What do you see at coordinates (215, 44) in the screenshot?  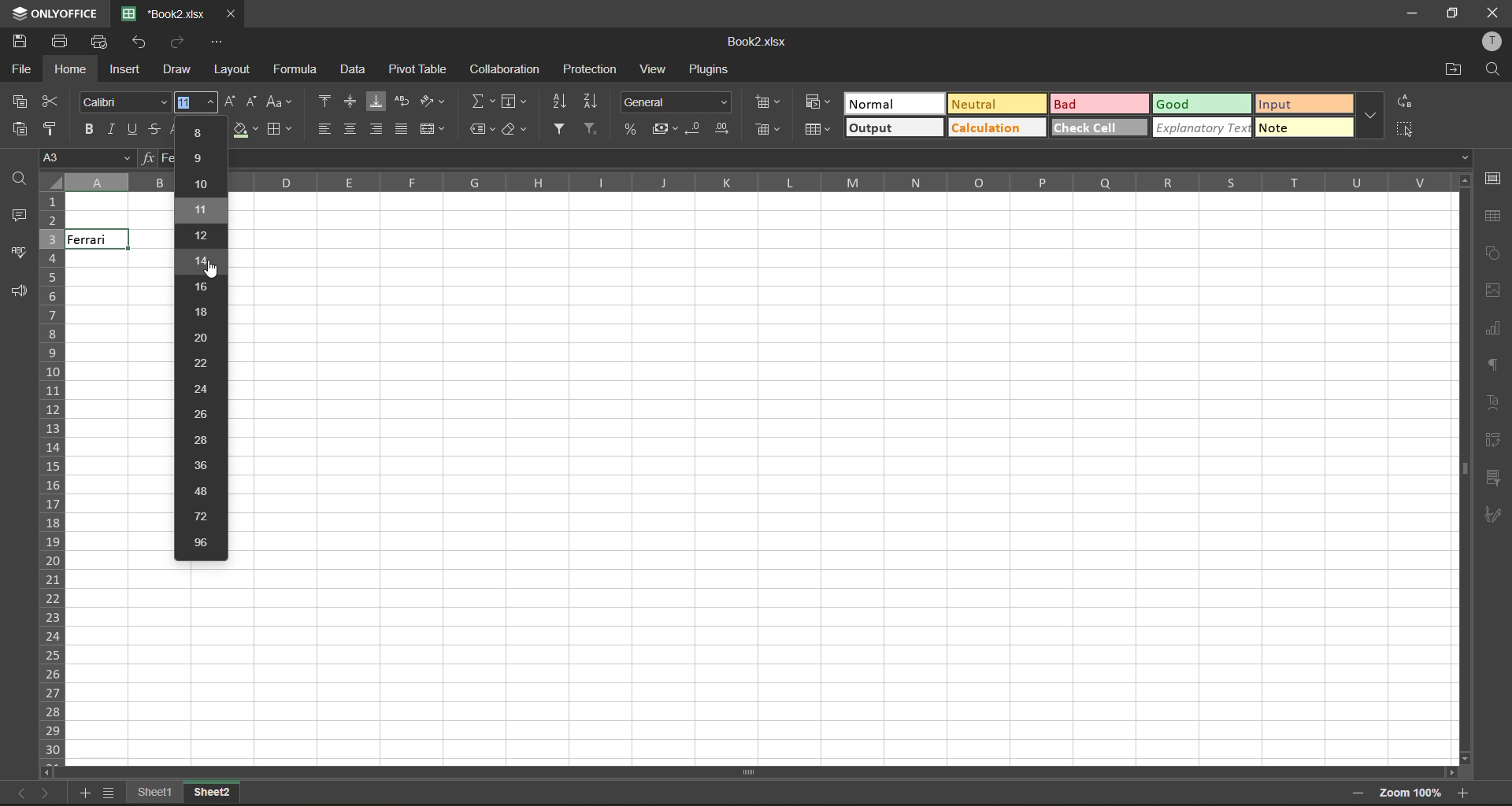 I see `customize quick access toolbar` at bounding box center [215, 44].